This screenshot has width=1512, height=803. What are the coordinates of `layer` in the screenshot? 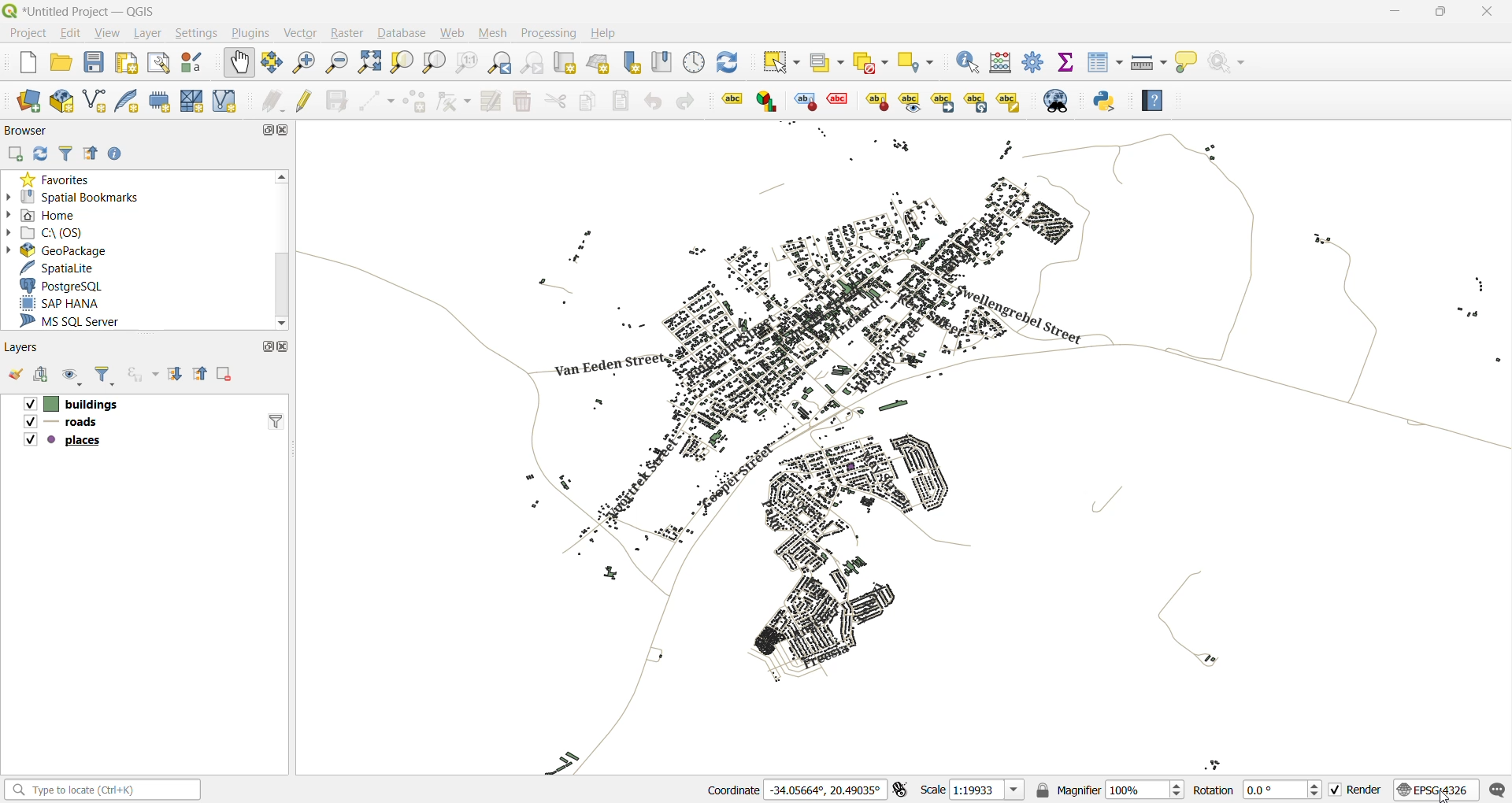 It's located at (146, 34).